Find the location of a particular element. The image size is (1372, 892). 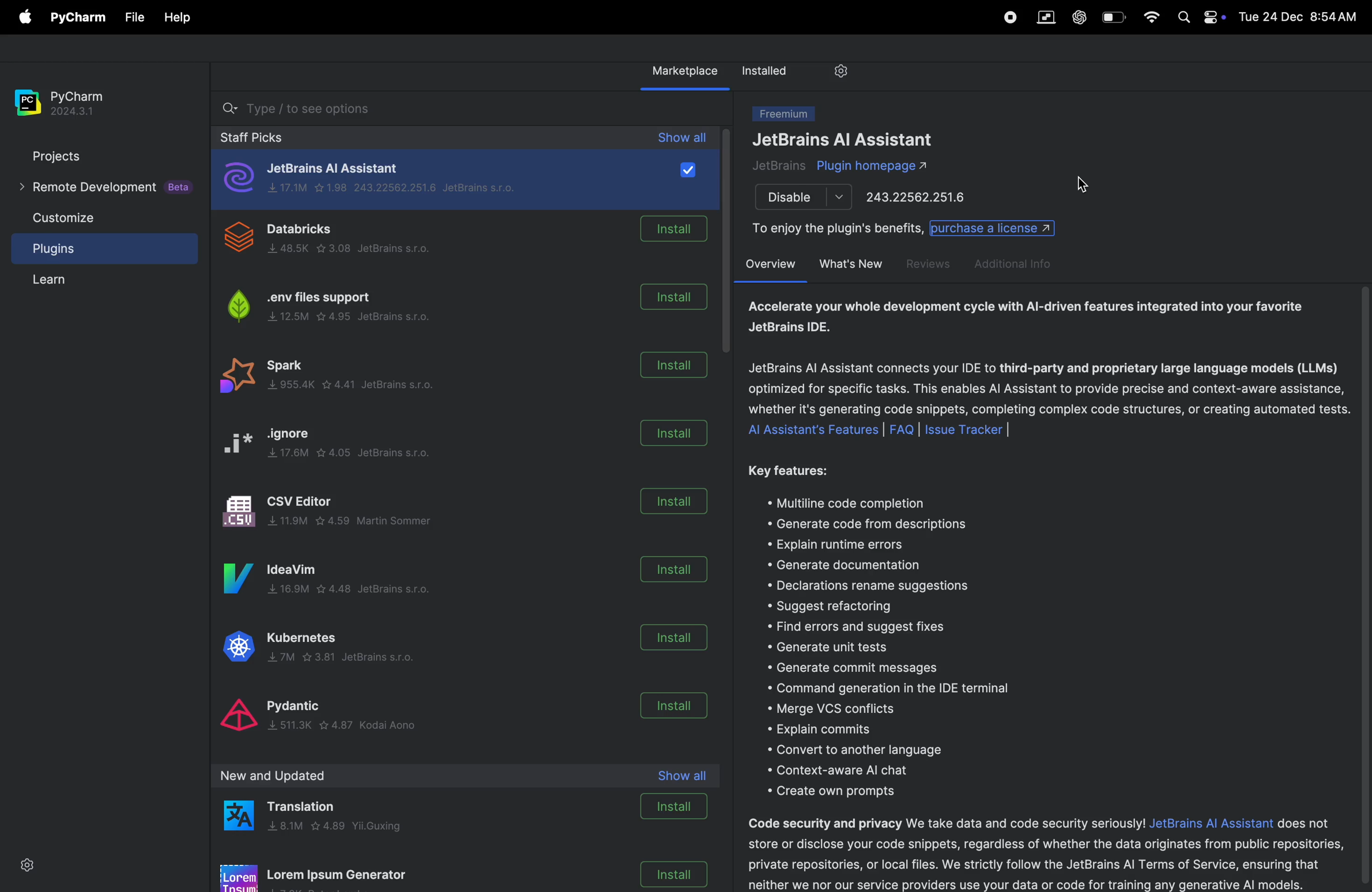

kubernates is located at coordinates (327, 656).